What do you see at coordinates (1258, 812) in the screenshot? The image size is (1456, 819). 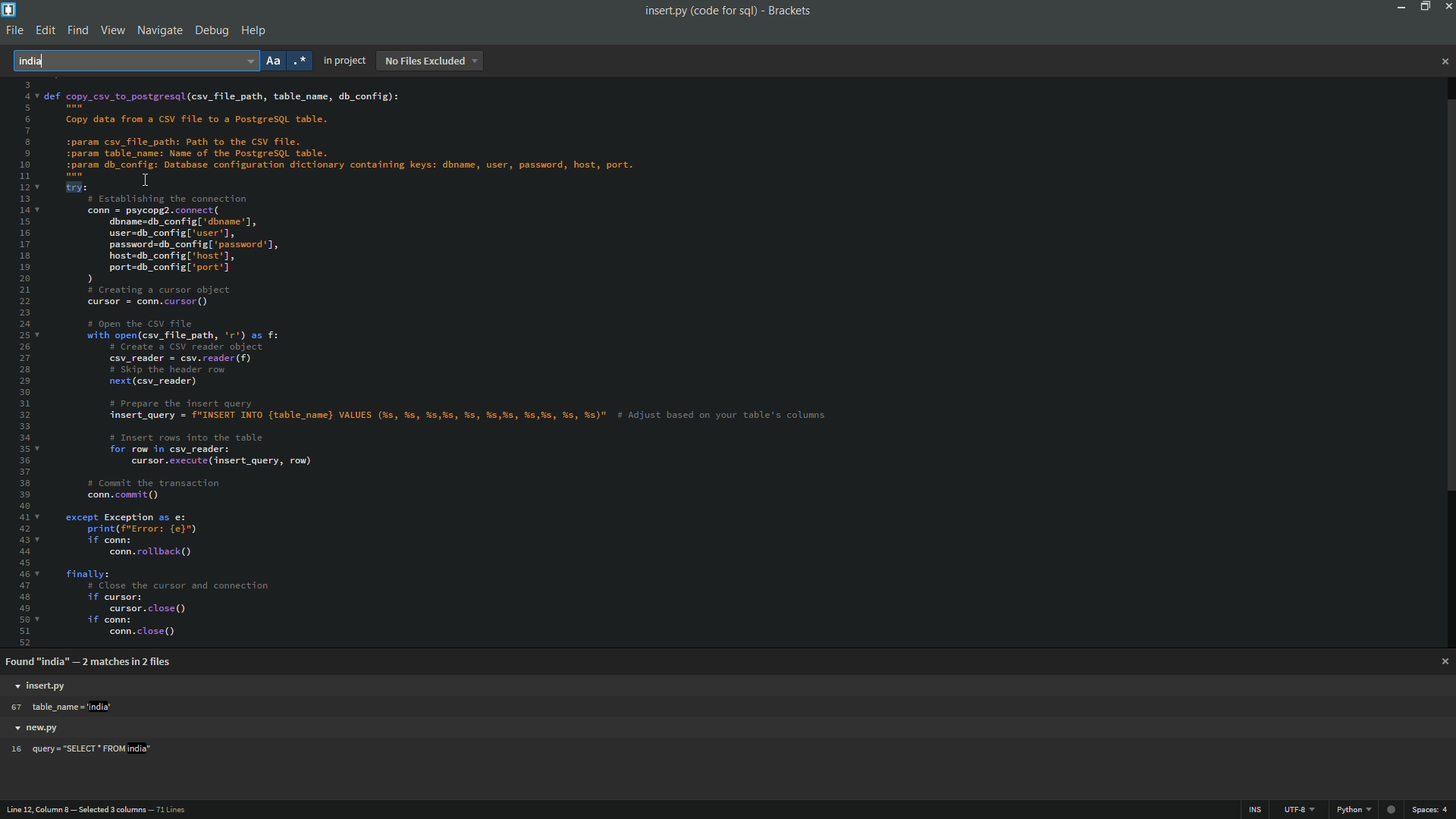 I see `ins` at bounding box center [1258, 812].